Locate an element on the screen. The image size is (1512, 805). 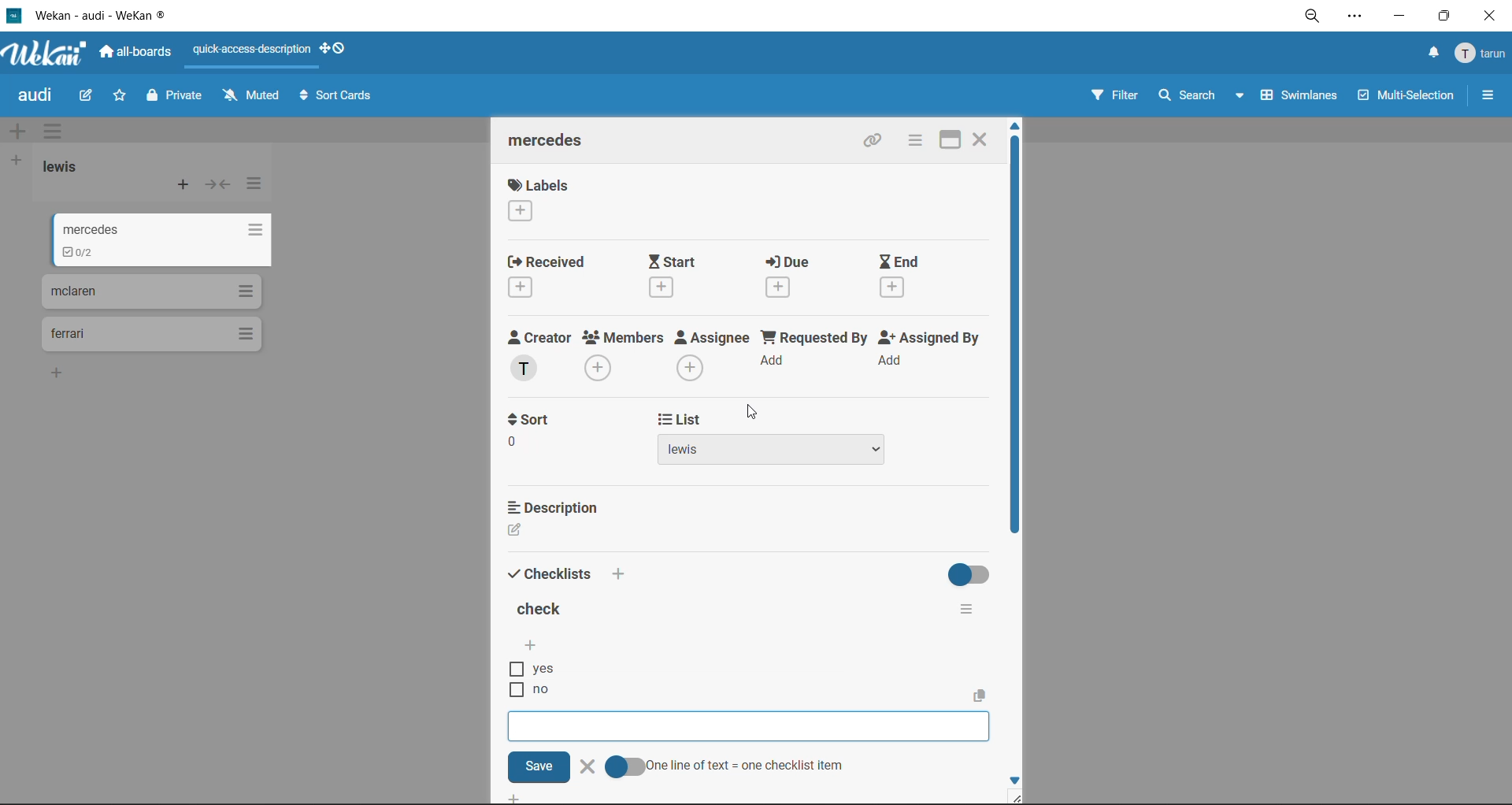
desscription is located at coordinates (557, 506).